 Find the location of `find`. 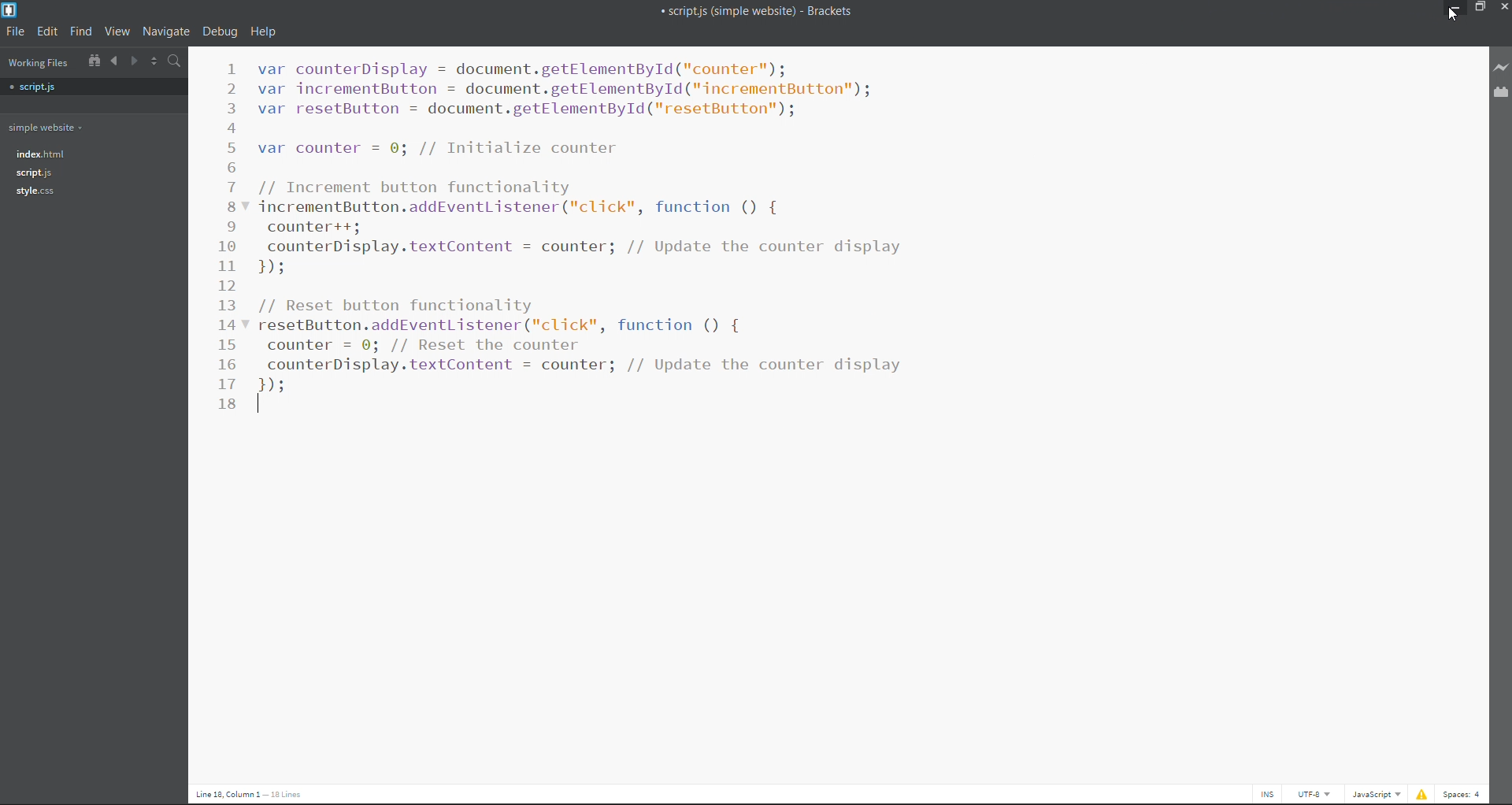

find is located at coordinates (81, 31).